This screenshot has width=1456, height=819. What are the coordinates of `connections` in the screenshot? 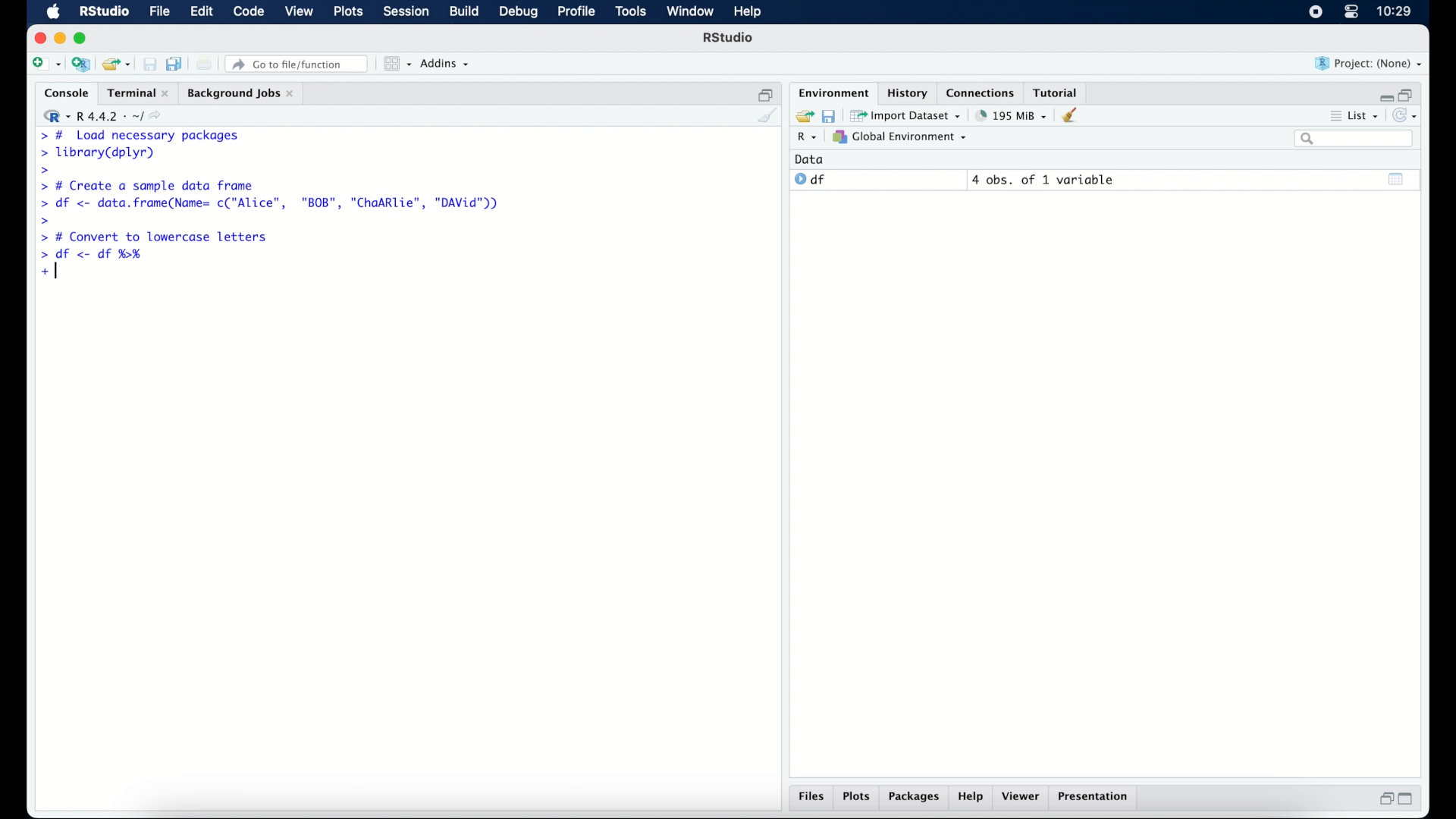 It's located at (982, 92).